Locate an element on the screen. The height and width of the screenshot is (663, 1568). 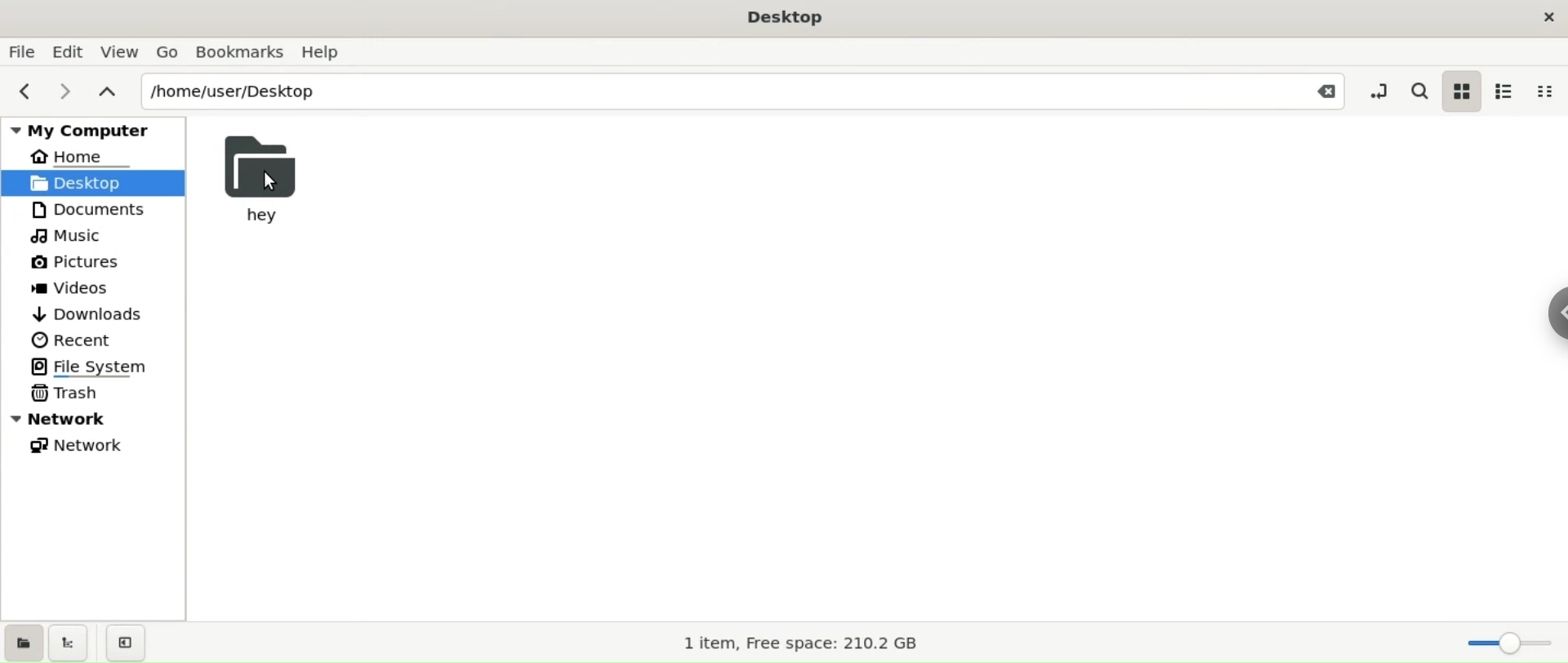
Desktop is located at coordinates (94, 181).